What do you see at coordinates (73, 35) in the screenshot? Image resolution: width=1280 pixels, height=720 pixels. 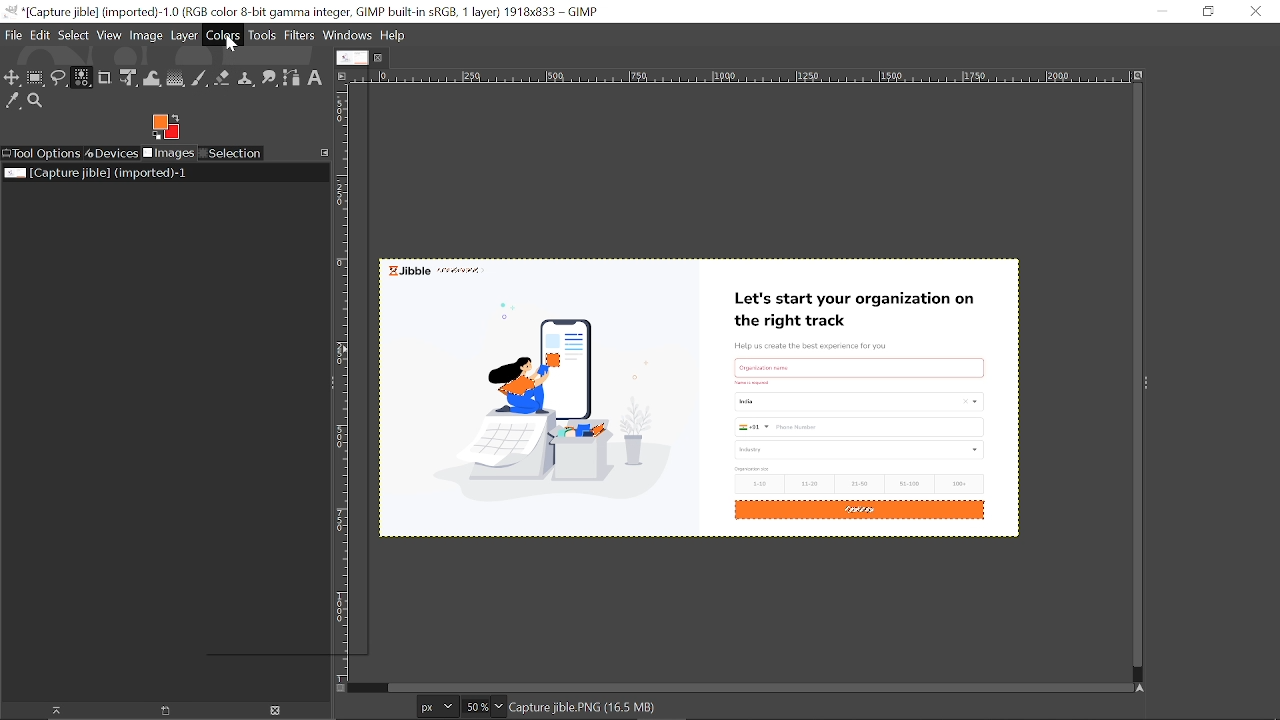 I see `Select` at bounding box center [73, 35].